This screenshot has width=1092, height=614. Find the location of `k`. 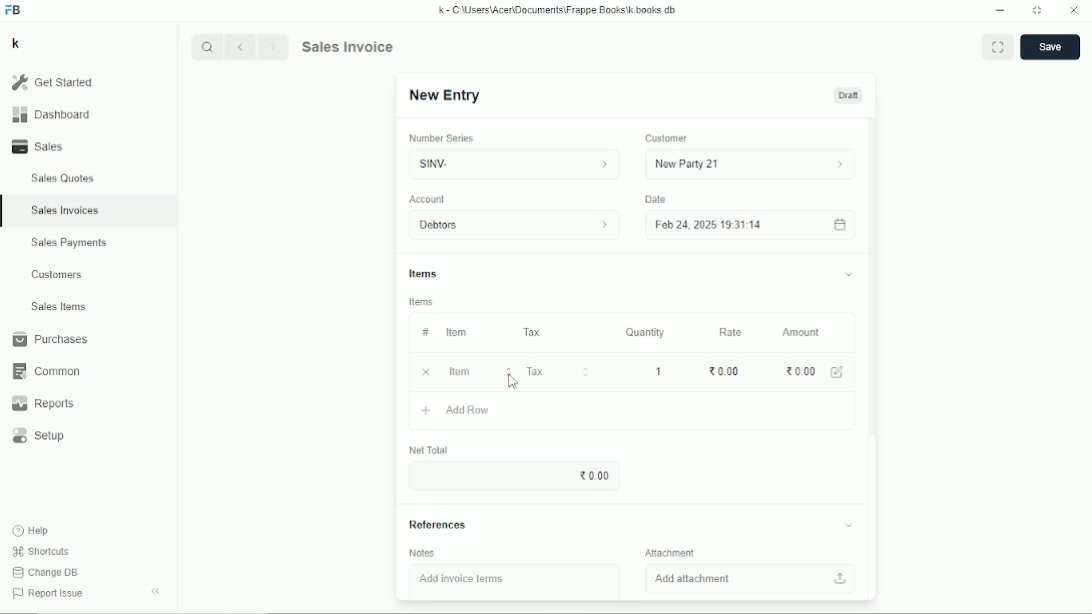

k is located at coordinates (15, 43).